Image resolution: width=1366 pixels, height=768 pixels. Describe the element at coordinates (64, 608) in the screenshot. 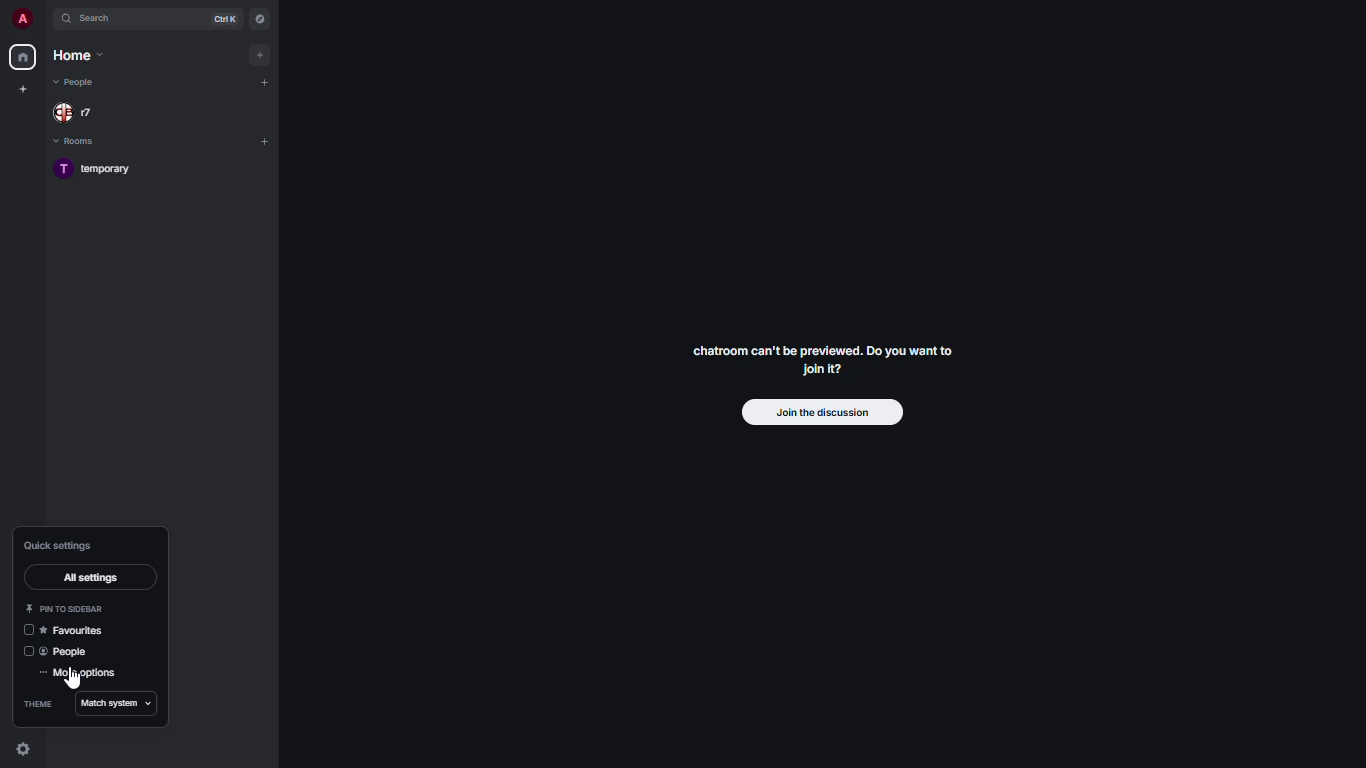

I see `pin to sidebar` at that location.